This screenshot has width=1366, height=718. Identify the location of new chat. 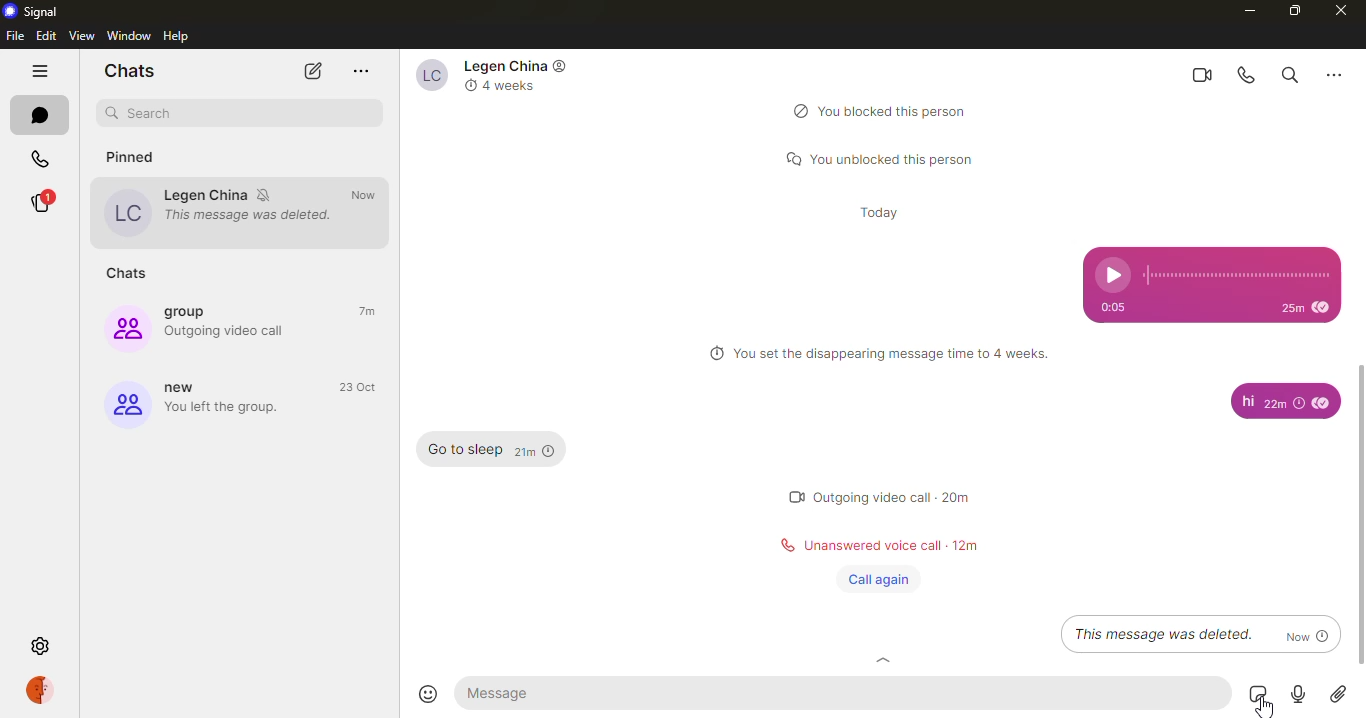
(314, 71).